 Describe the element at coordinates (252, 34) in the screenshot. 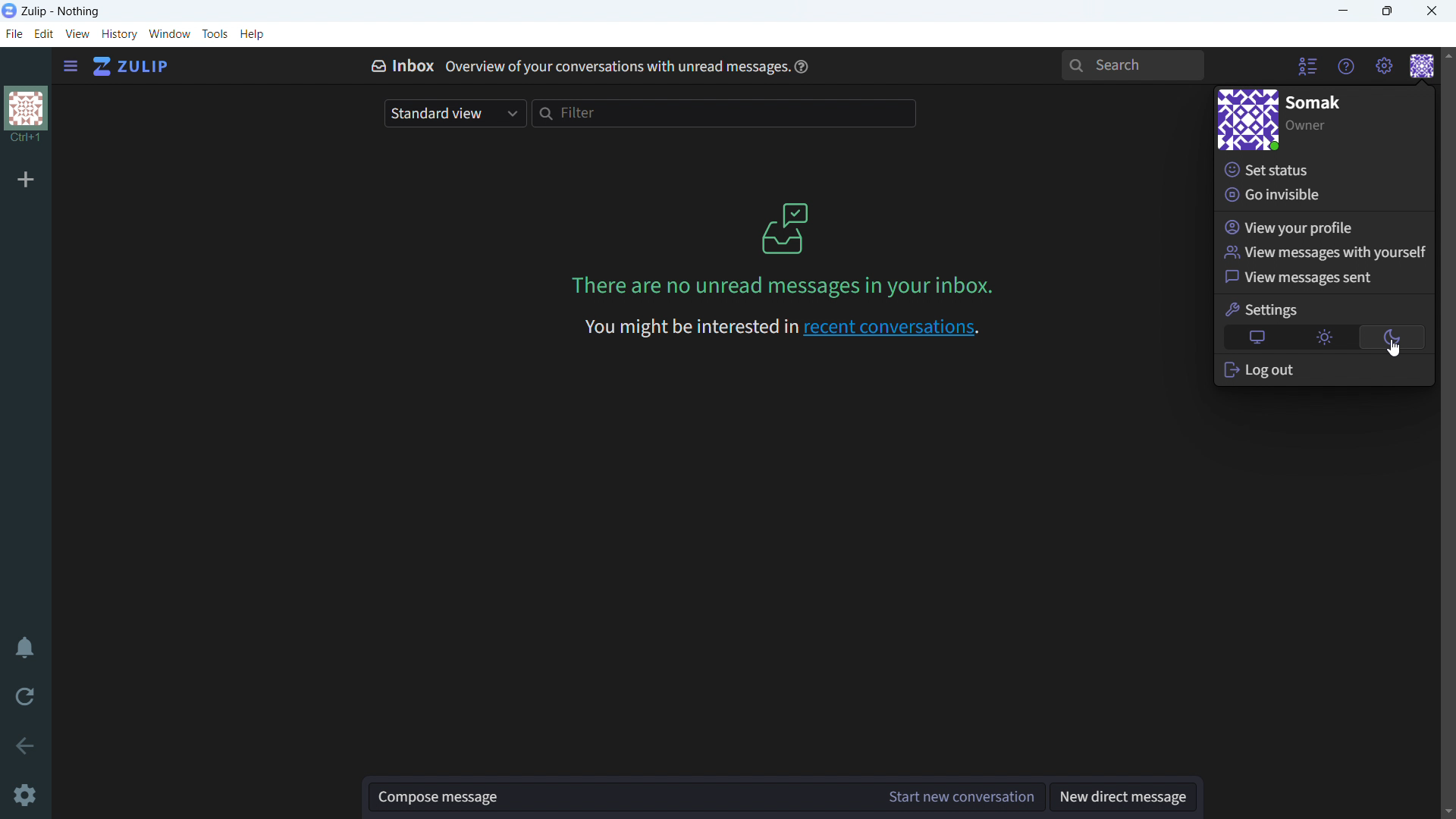

I see `help` at that location.